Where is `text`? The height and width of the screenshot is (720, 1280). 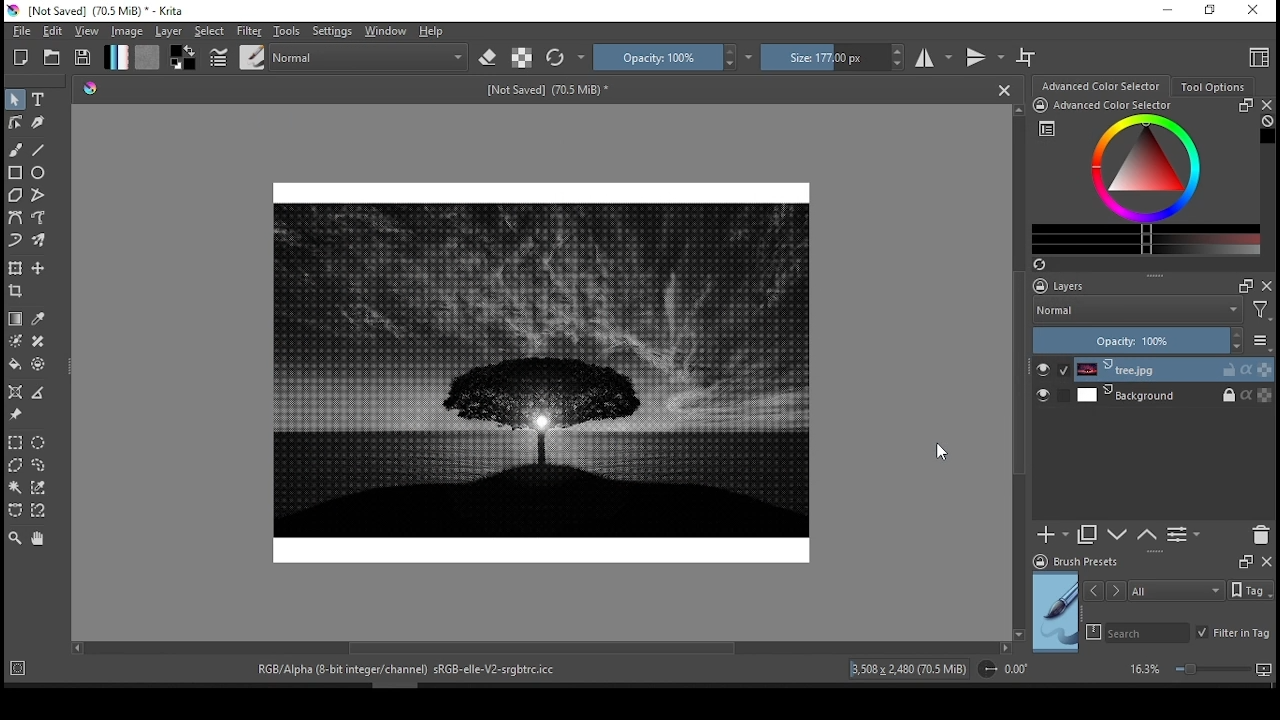 text is located at coordinates (410, 671).